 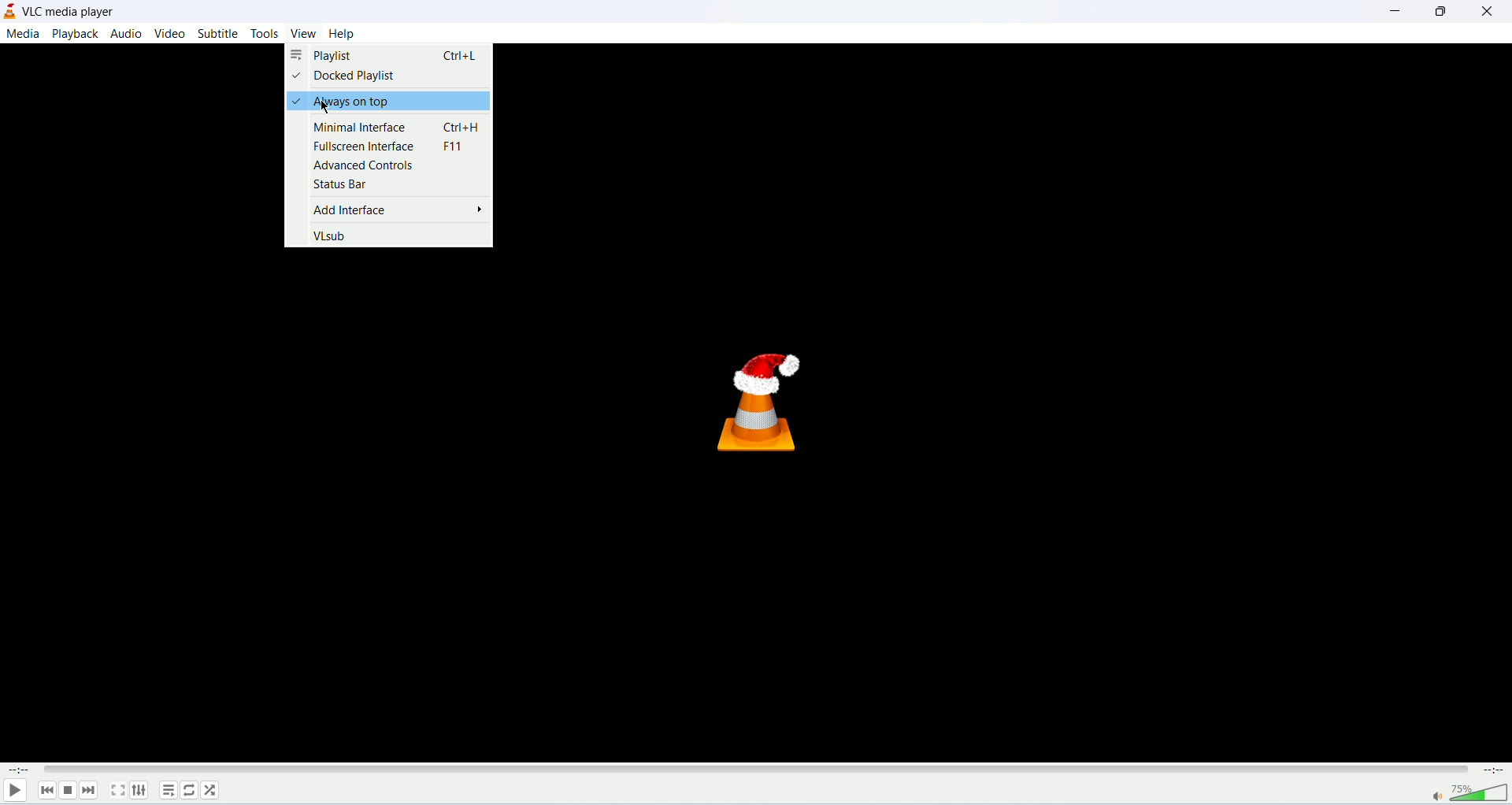 I want to click on advanced controls, so click(x=365, y=164).